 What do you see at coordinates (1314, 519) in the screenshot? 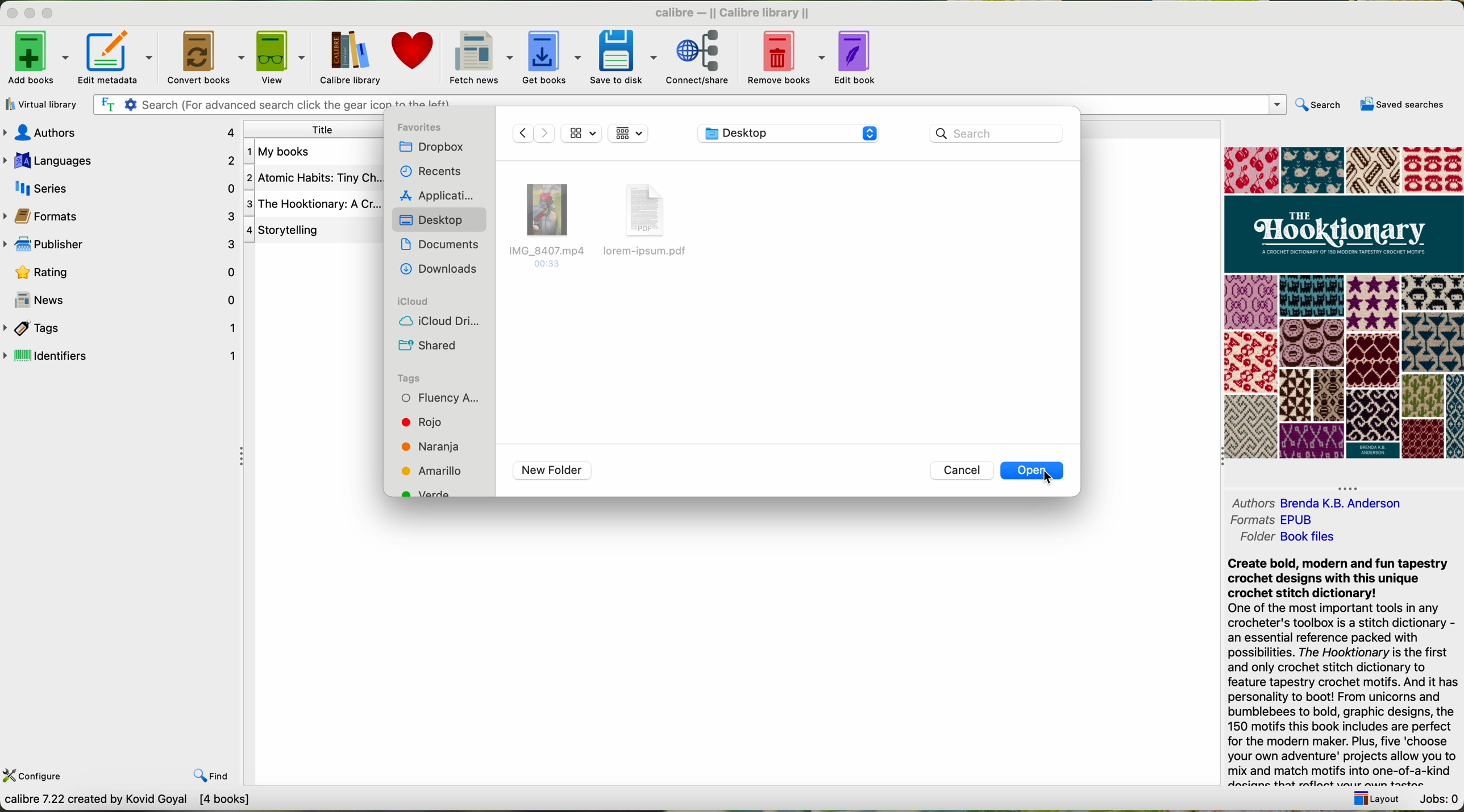
I see `EPUB` at bounding box center [1314, 519].